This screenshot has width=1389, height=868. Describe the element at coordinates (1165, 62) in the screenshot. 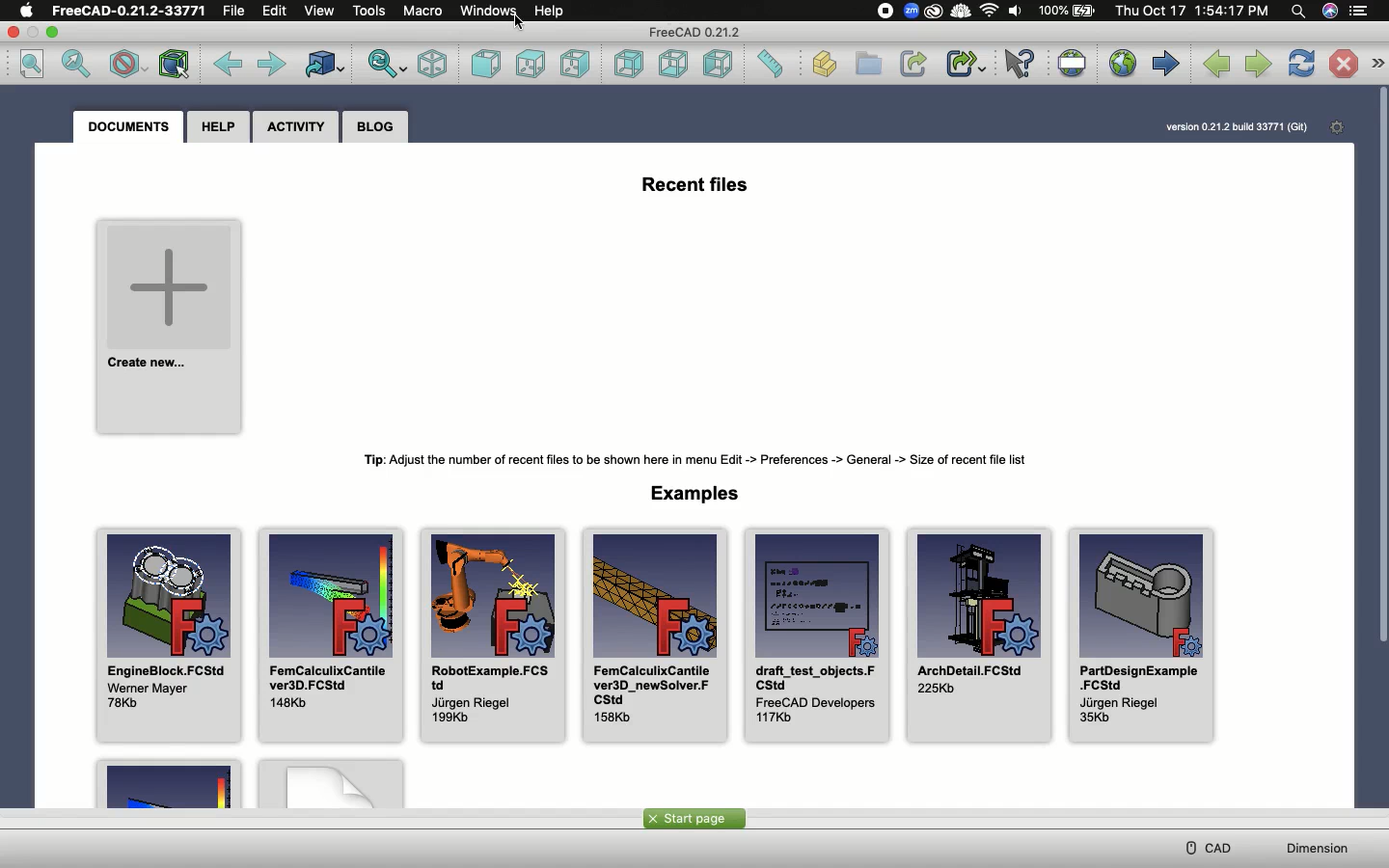

I see `Start page` at that location.